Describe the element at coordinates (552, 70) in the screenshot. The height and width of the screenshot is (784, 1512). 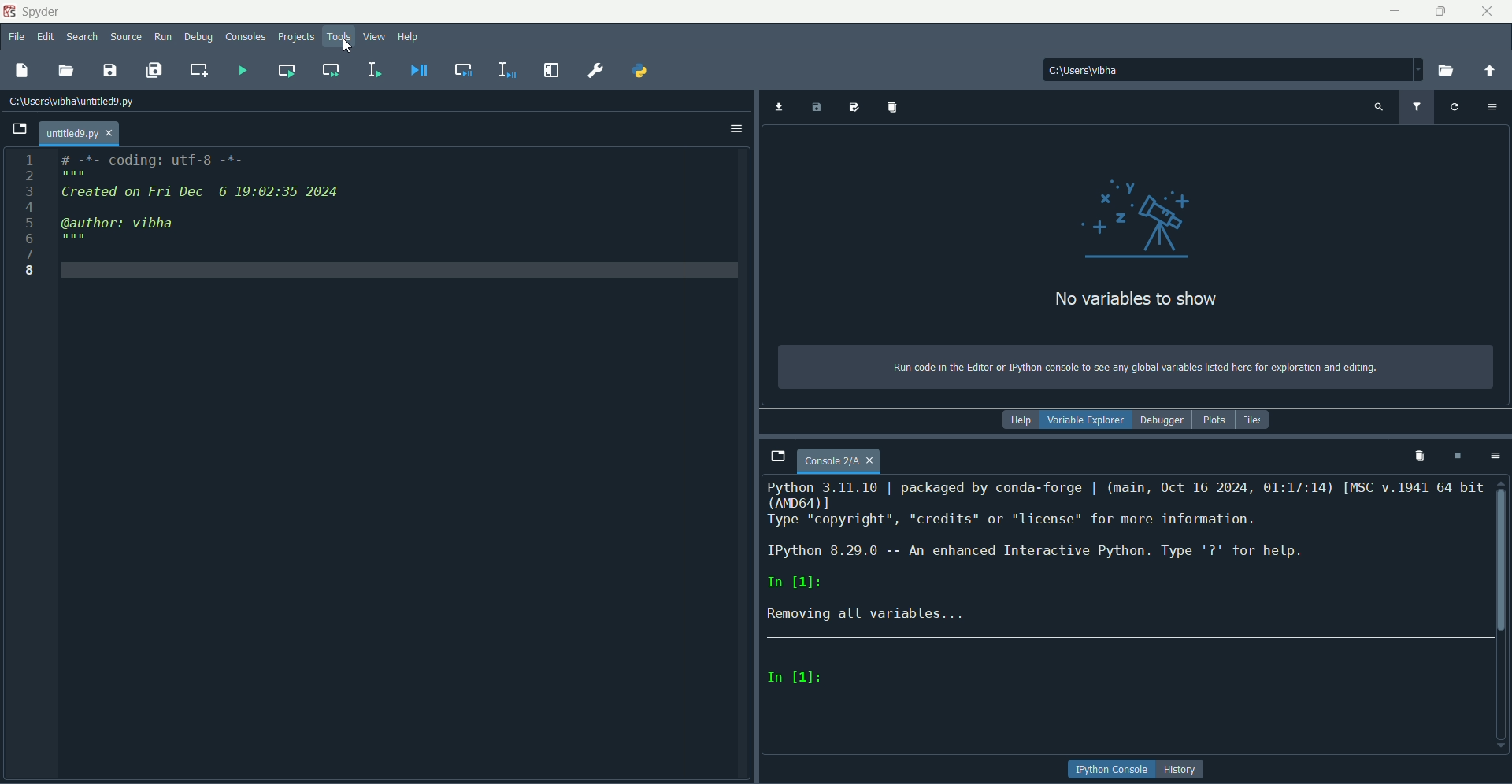
I see `maximize current pane` at that location.